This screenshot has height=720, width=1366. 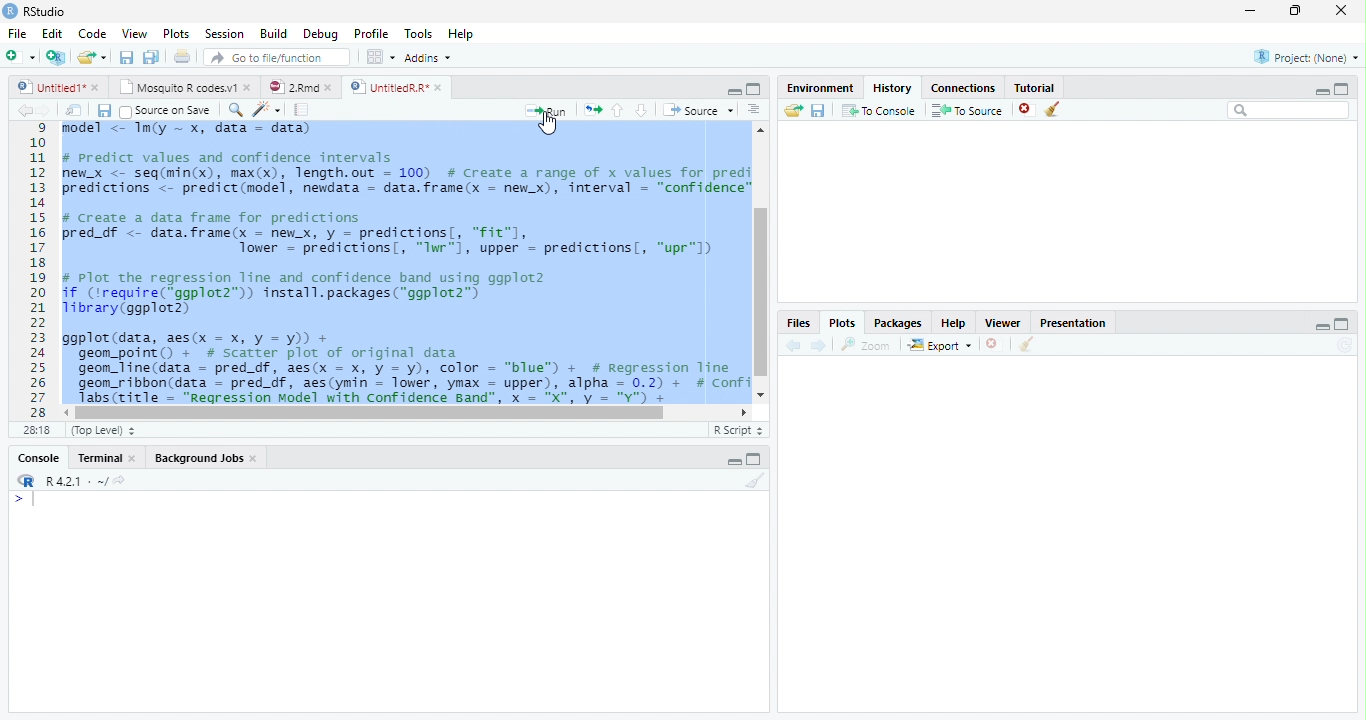 What do you see at coordinates (963, 88) in the screenshot?
I see `Connection` at bounding box center [963, 88].